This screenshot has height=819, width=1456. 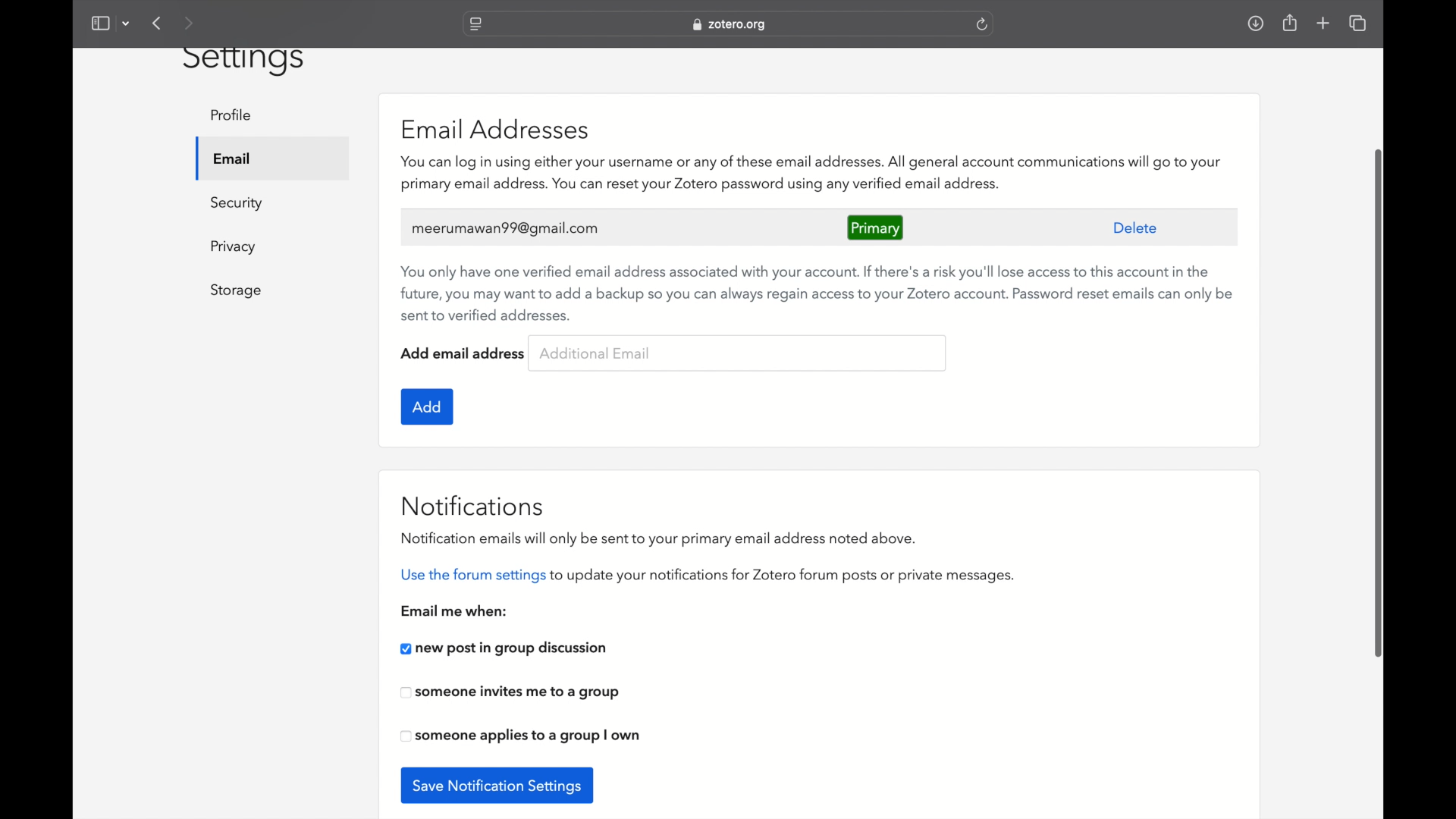 I want to click on notifications, so click(x=472, y=505).